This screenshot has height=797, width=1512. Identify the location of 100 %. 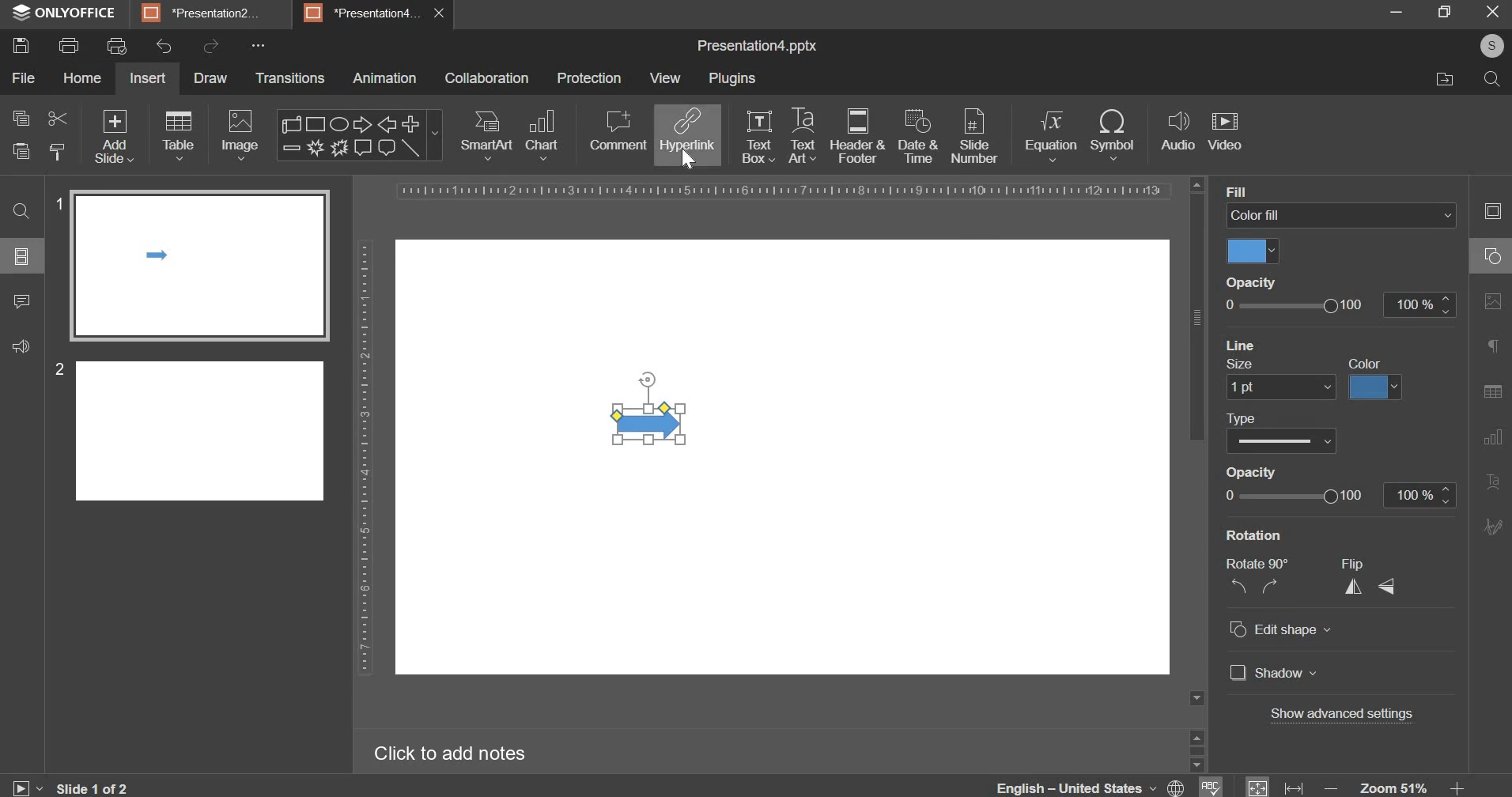
(1416, 494).